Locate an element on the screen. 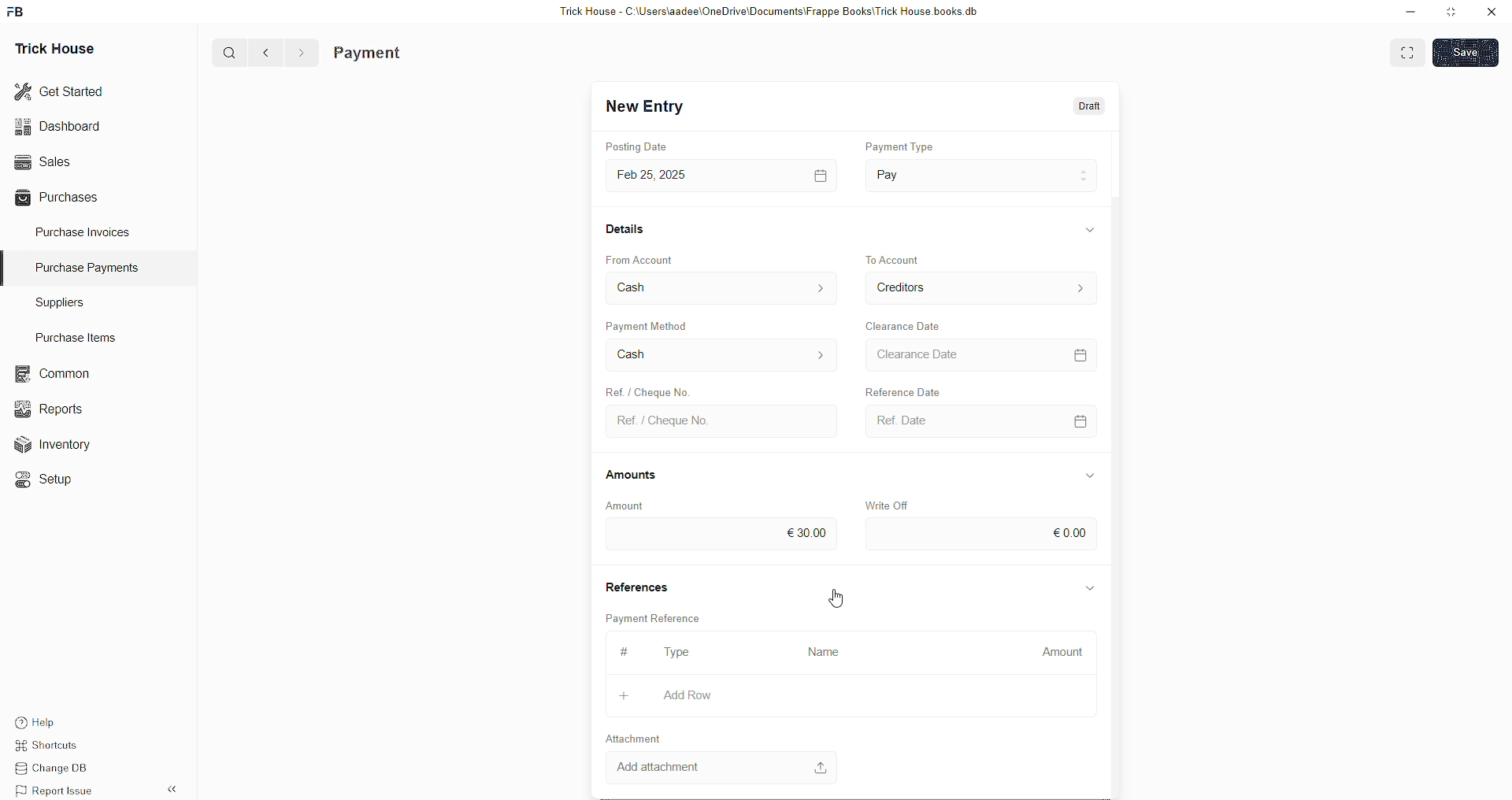 This screenshot has width=1512, height=800. Details is located at coordinates (621, 231).